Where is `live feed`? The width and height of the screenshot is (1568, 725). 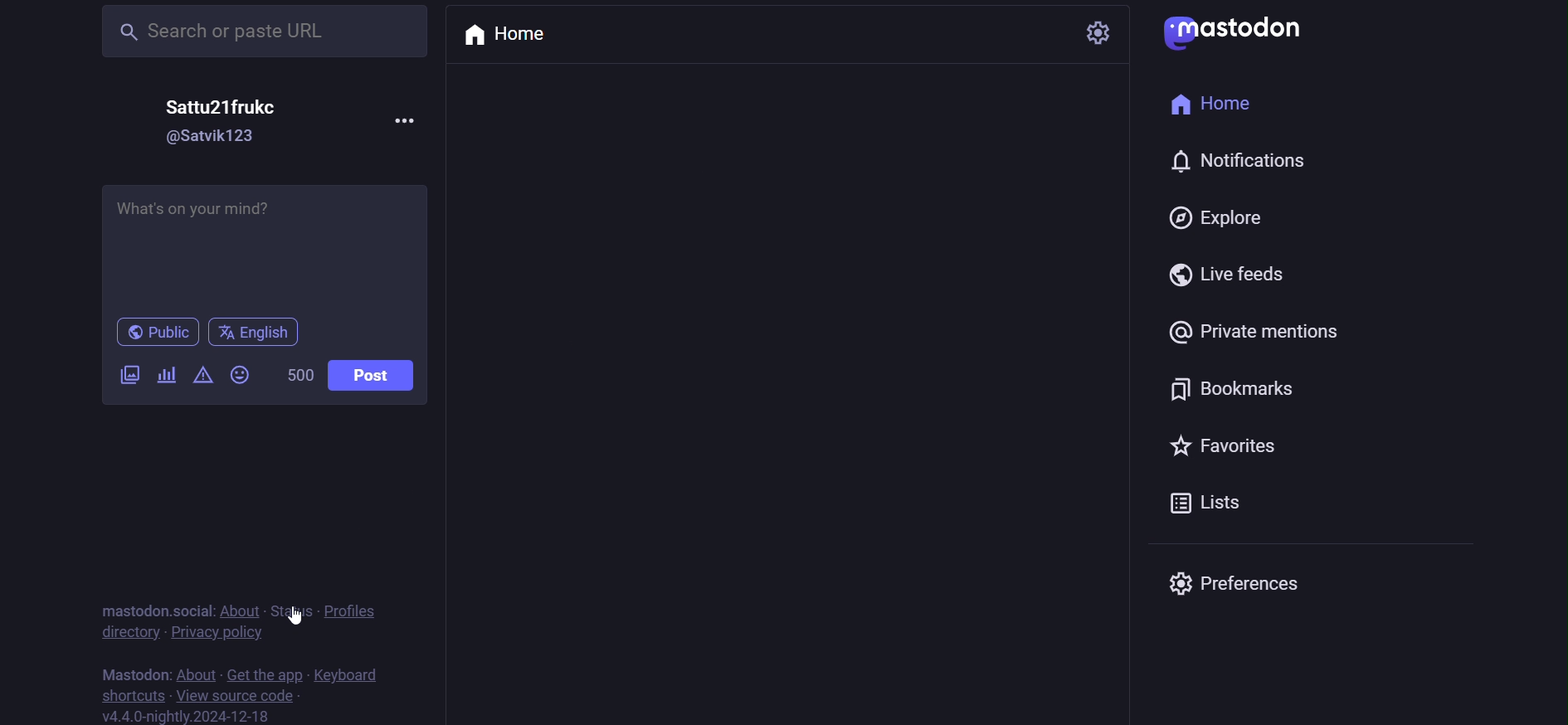
live feed is located at coordinates (1225, 273).